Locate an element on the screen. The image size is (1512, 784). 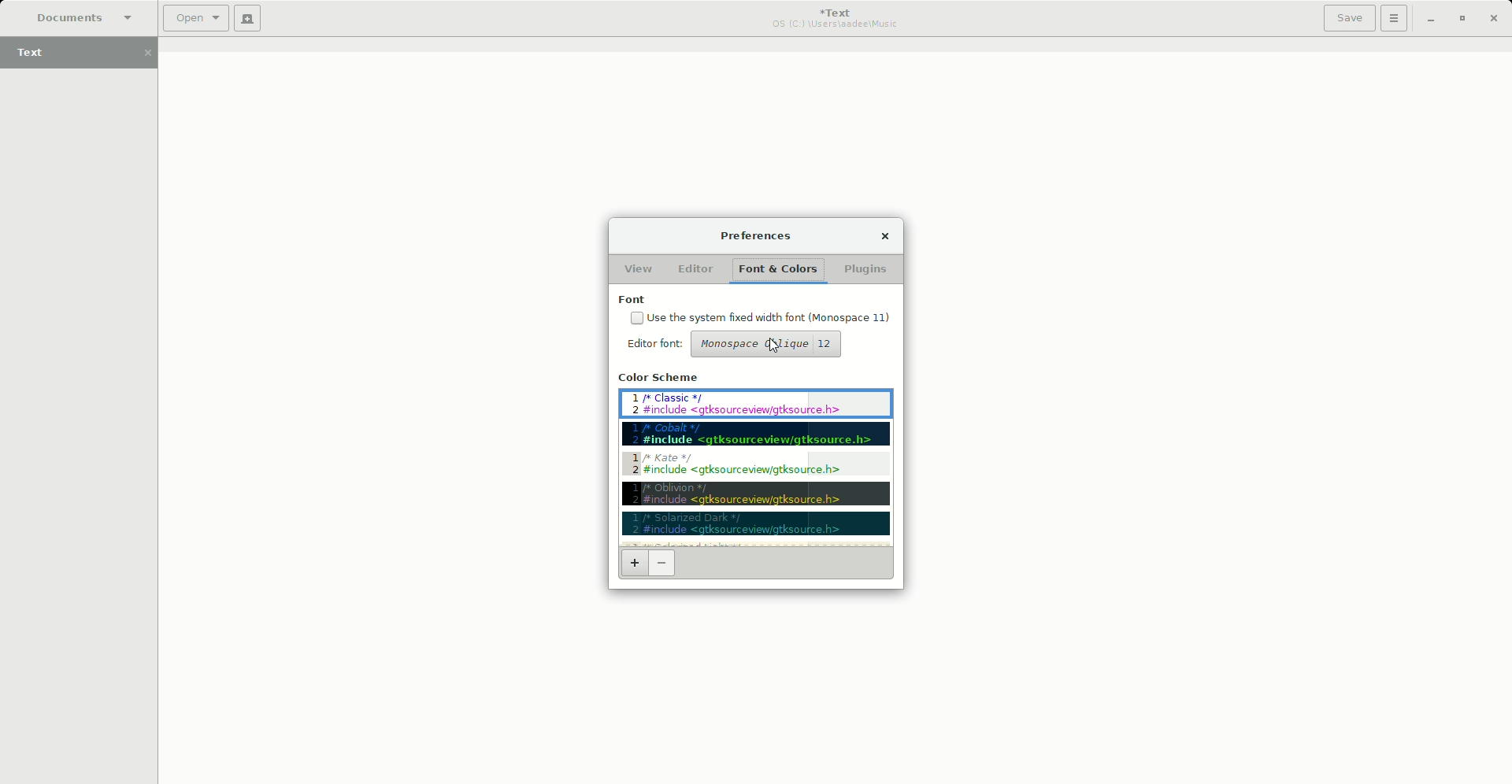
Plus is located at coordinates (632, 563).